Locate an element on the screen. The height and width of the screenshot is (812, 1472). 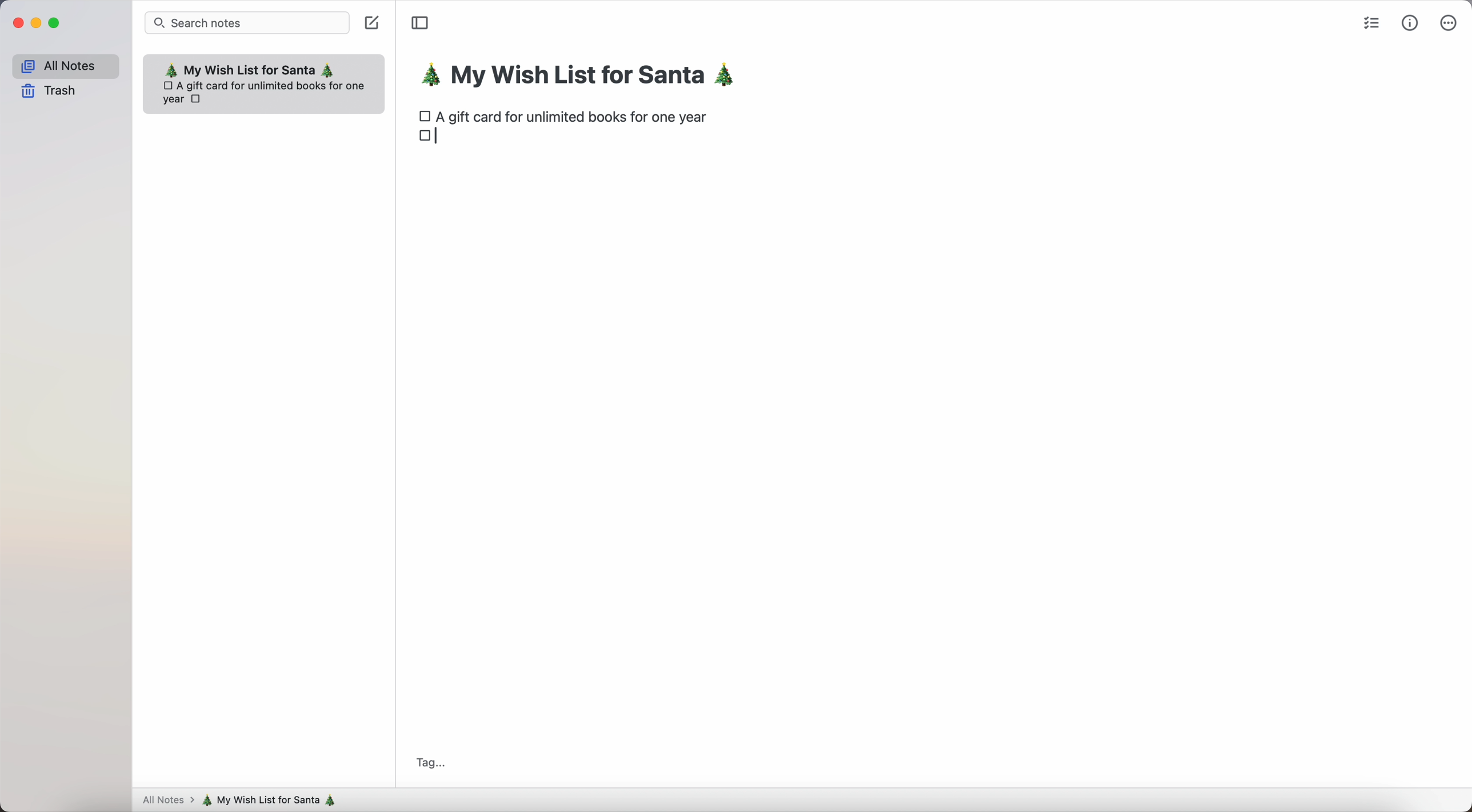
toggle sidebar is located at coordinates (419, 23).